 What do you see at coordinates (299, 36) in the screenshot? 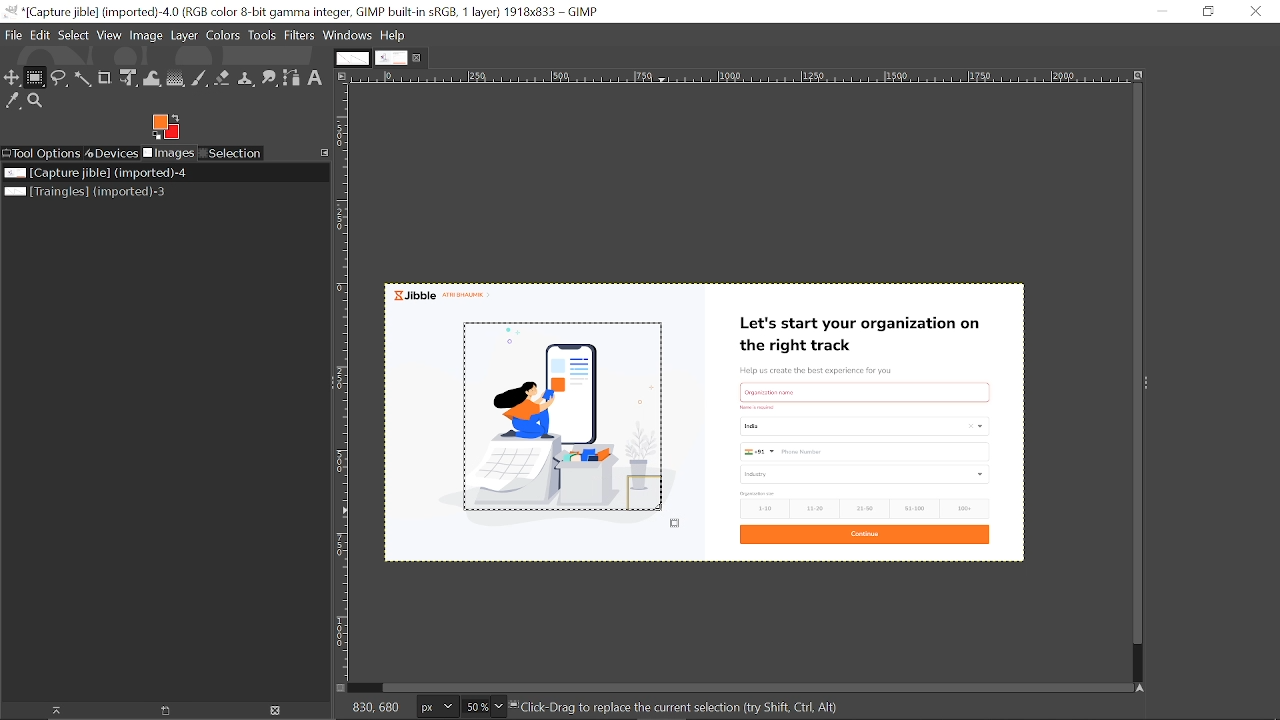
I see `Filters` at bounding box center [299, 36].